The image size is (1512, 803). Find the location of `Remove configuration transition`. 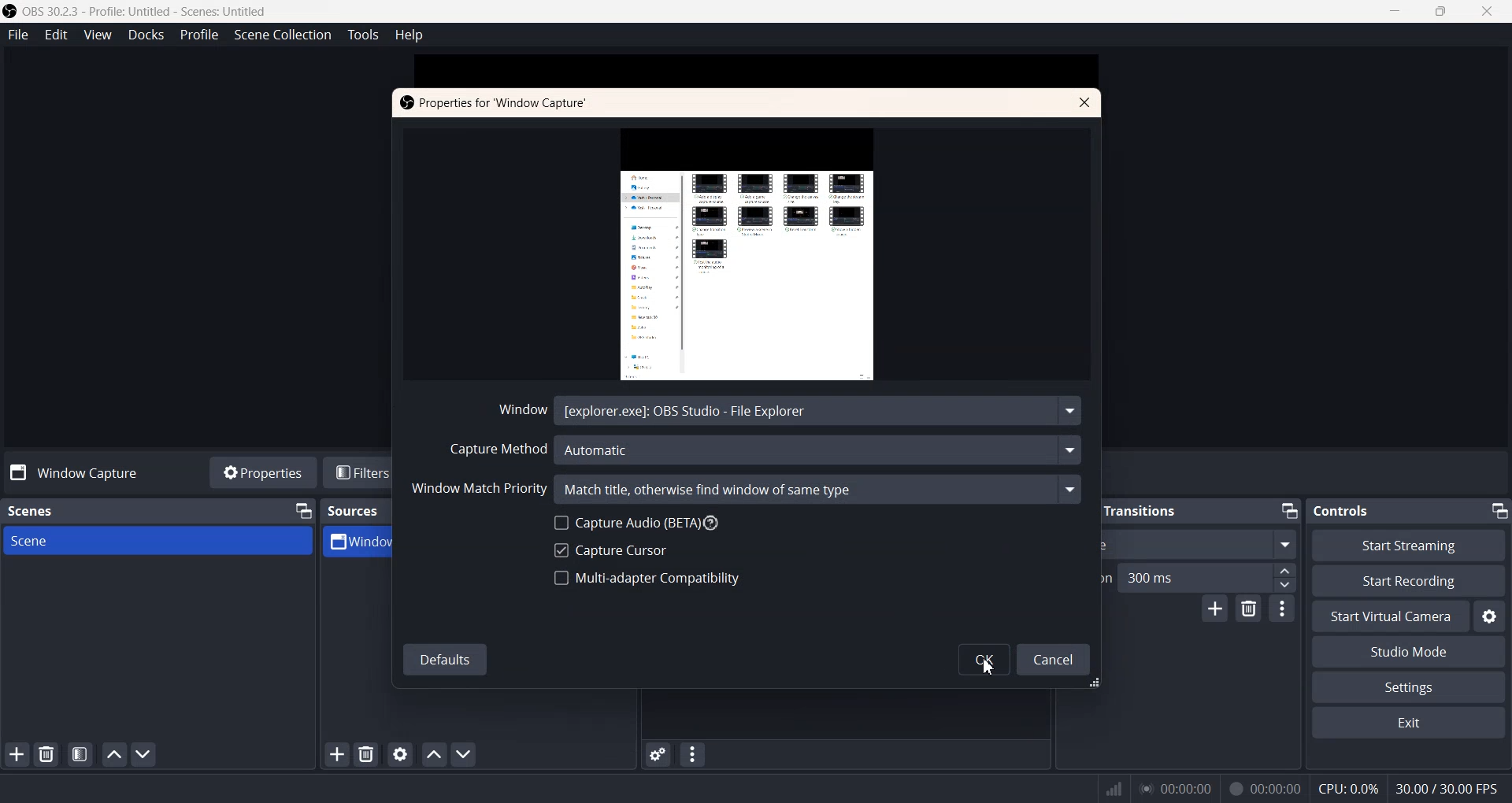

Remove configuration transition is located at coordinates (1248, 608).